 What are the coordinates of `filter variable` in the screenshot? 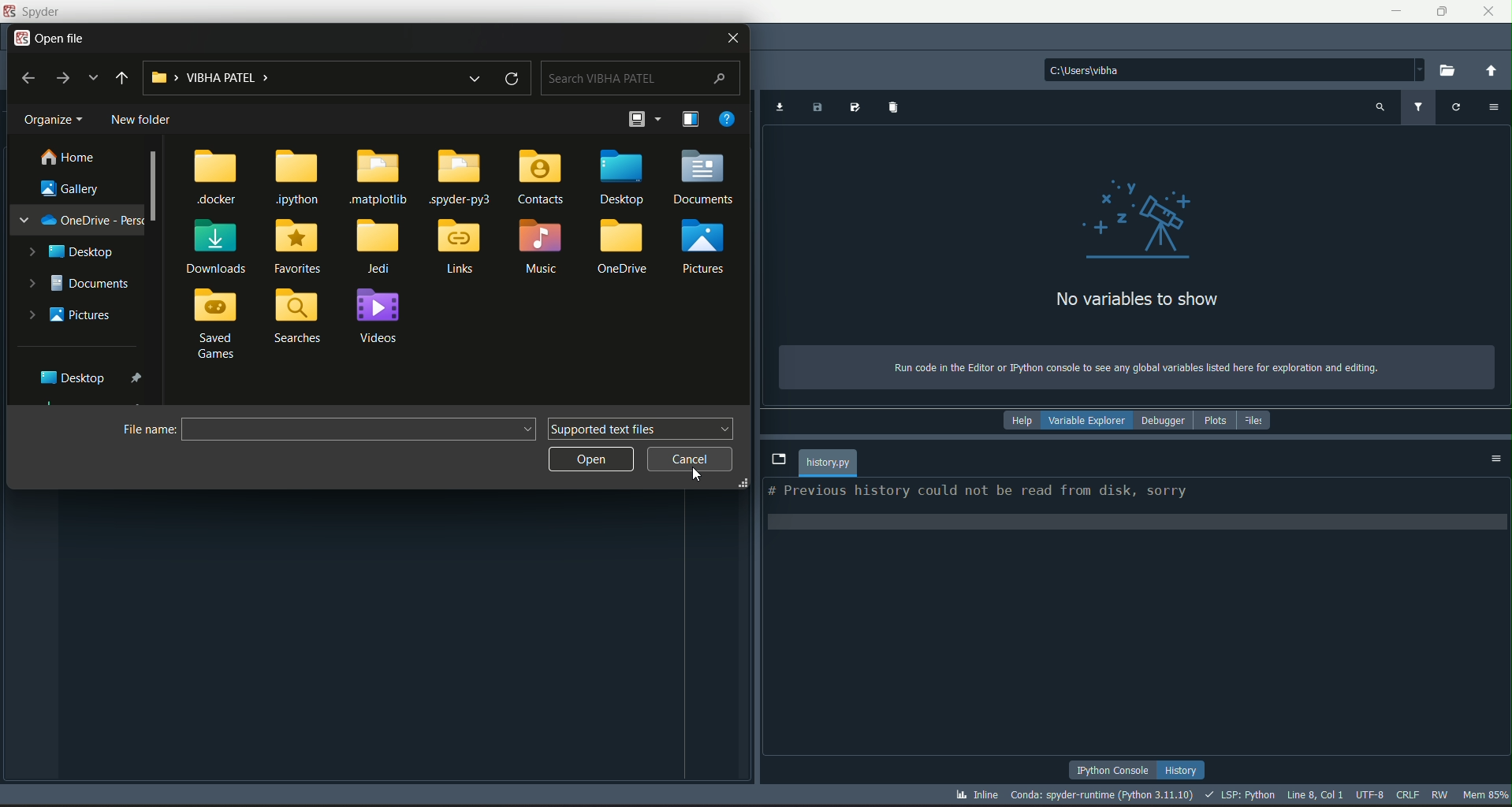 It's located at (1419, 107).